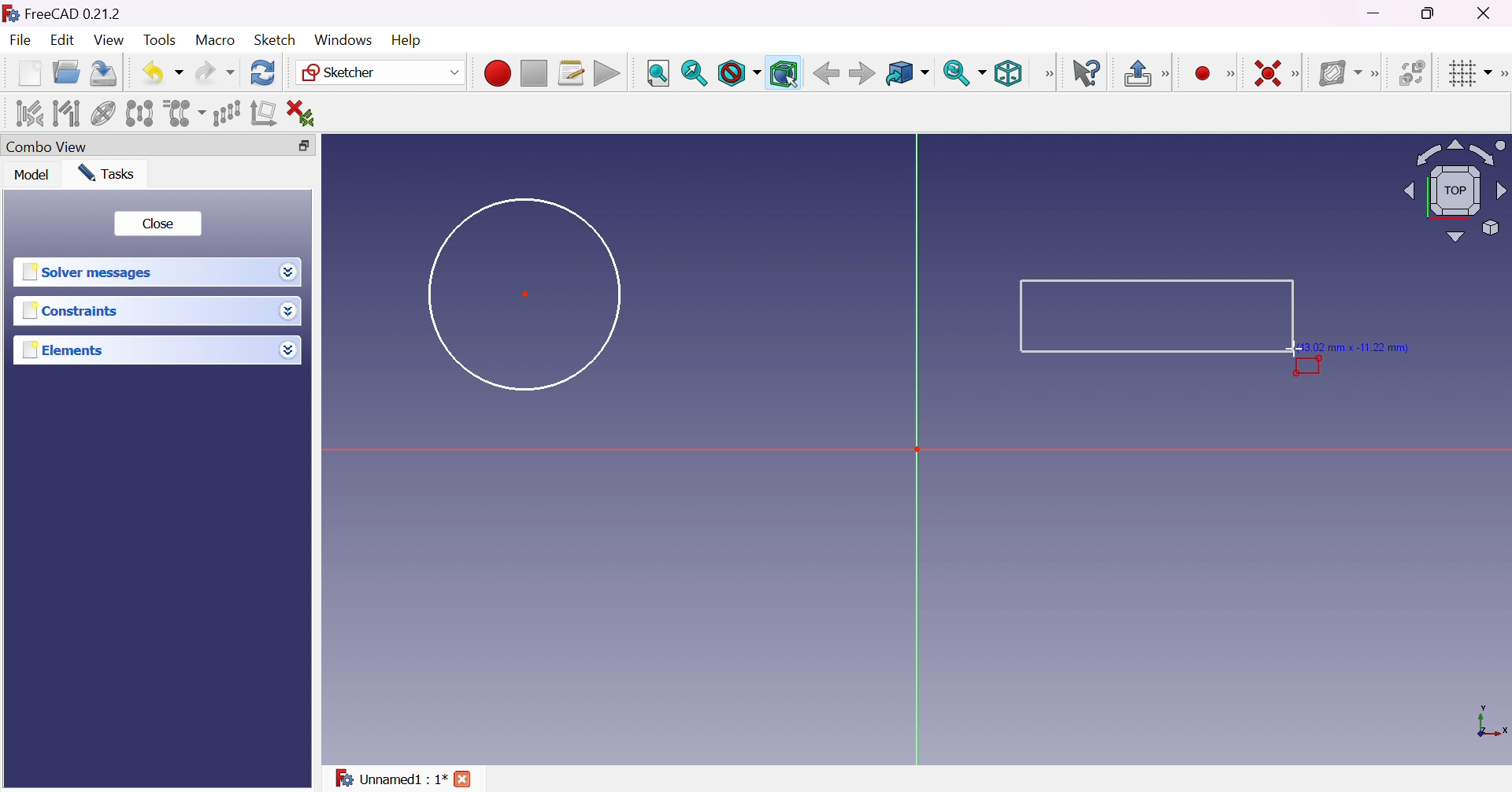 The image size is (1512, 792). I want to click on Open..., so click(65, 73).